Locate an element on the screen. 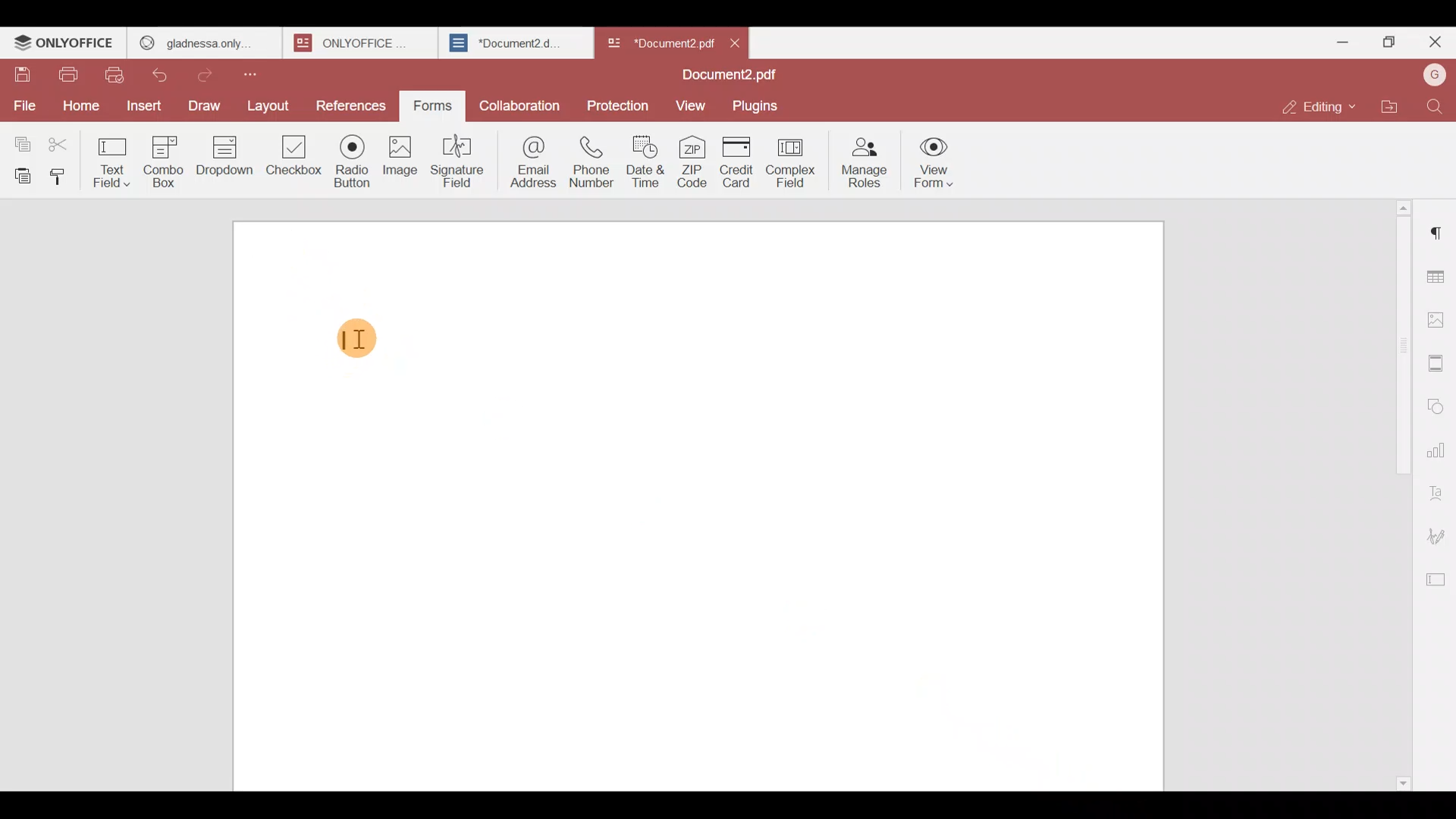  Phone number is located at coordinates (593, 161).